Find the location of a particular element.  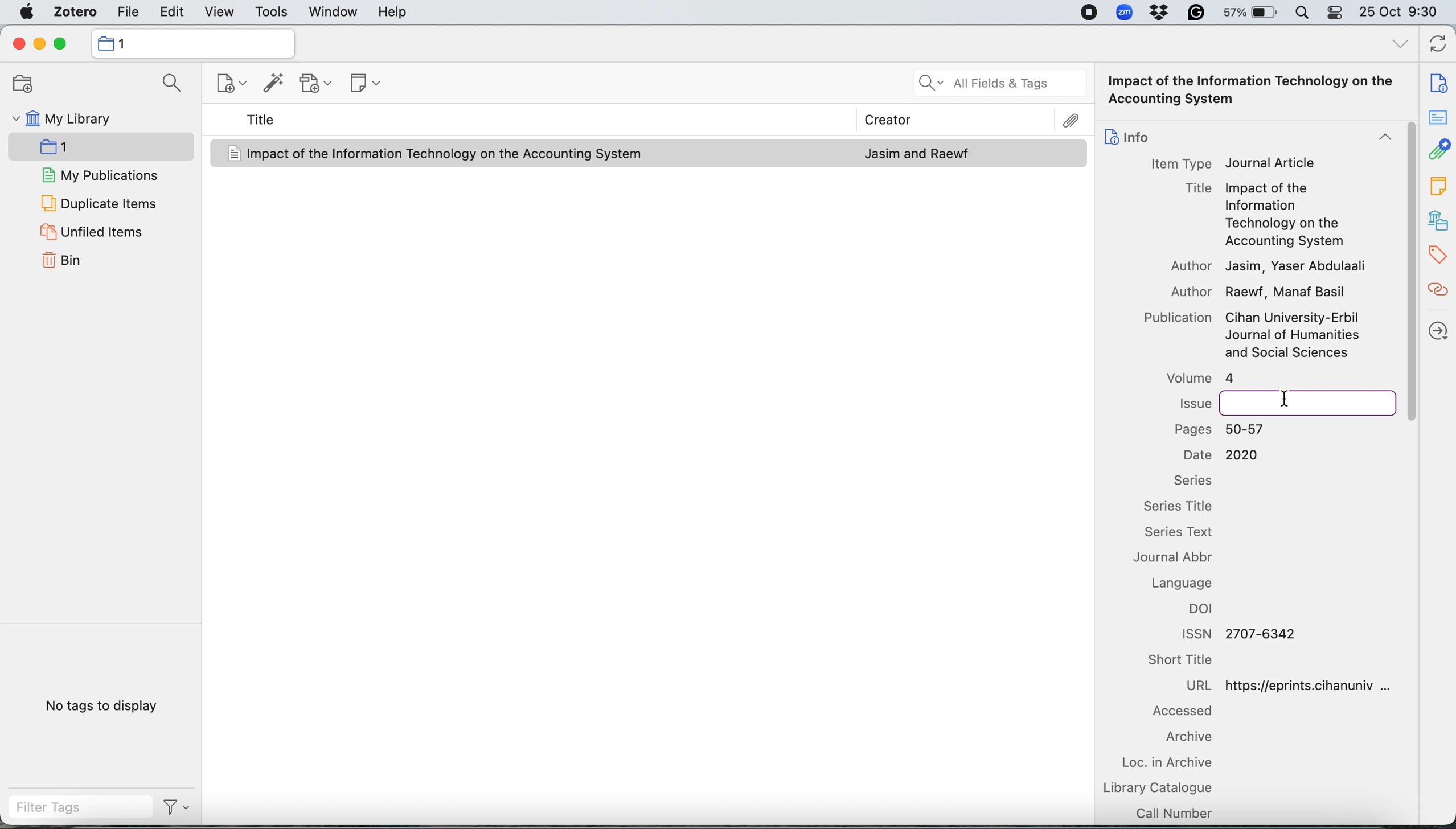

zotero is located at coordinates (75, 12).